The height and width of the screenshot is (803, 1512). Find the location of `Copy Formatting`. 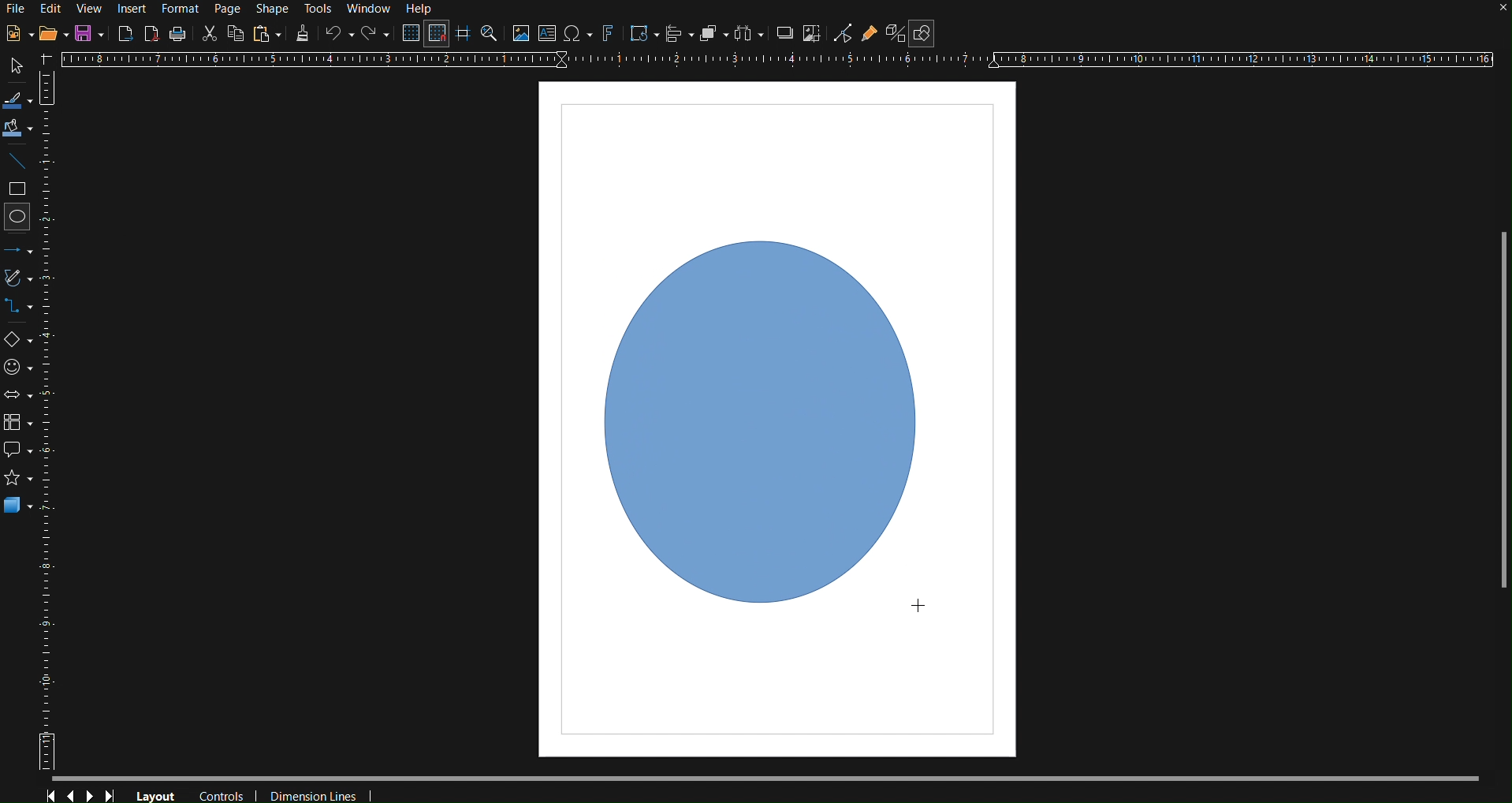

Copy Formatting is located at coordinates (303, 34).